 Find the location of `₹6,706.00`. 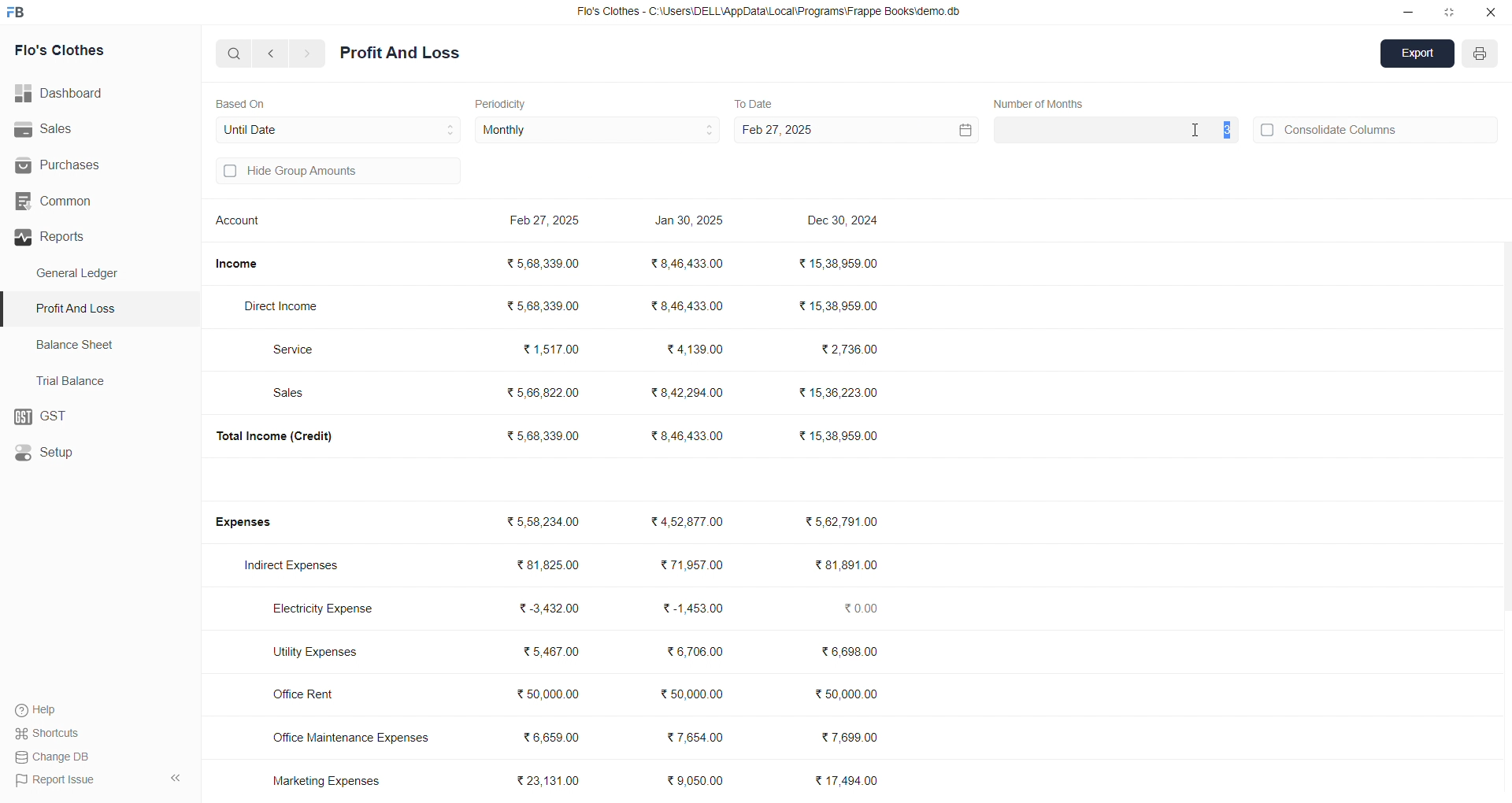

₹6,706.00 is located at coordinates (695, 653).